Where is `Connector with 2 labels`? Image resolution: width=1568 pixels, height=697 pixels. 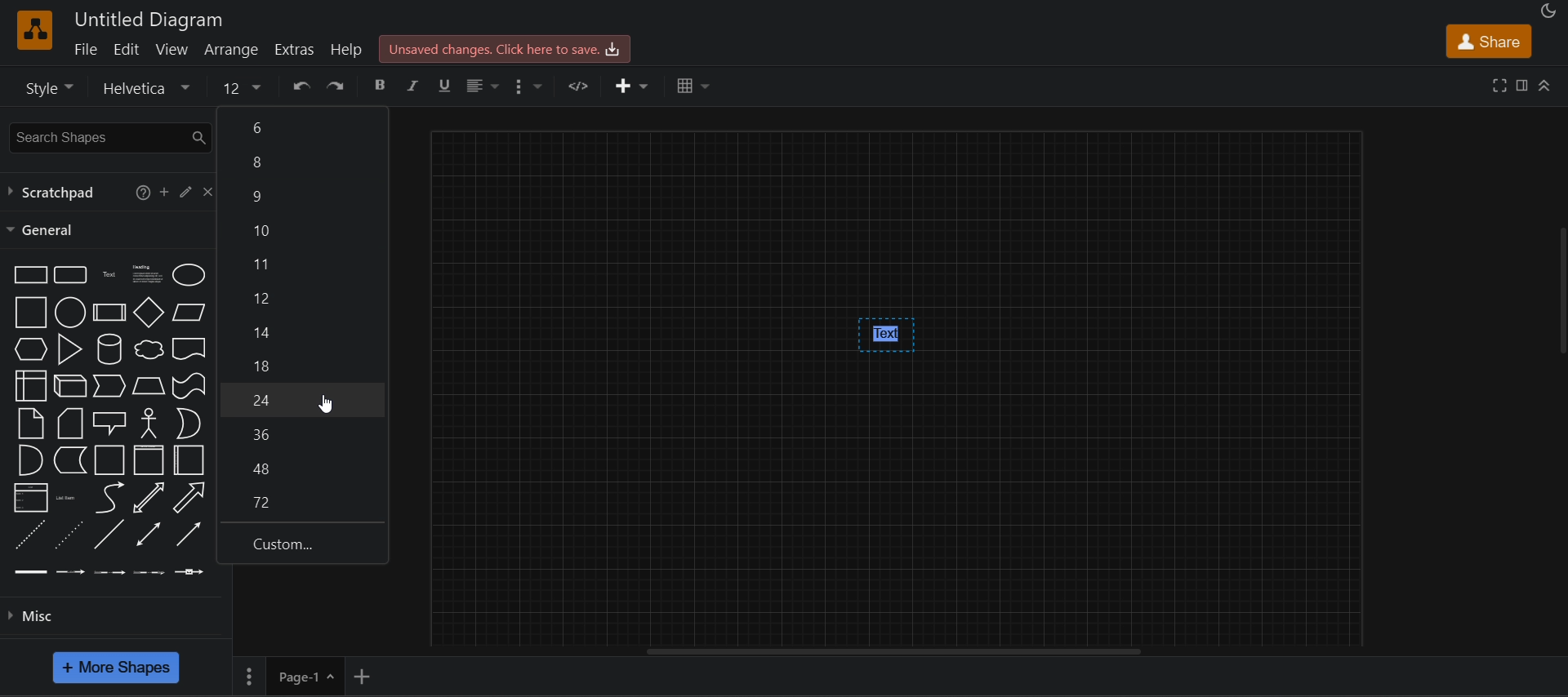
Connector with 2 labels is located at coordinates (109, 573).